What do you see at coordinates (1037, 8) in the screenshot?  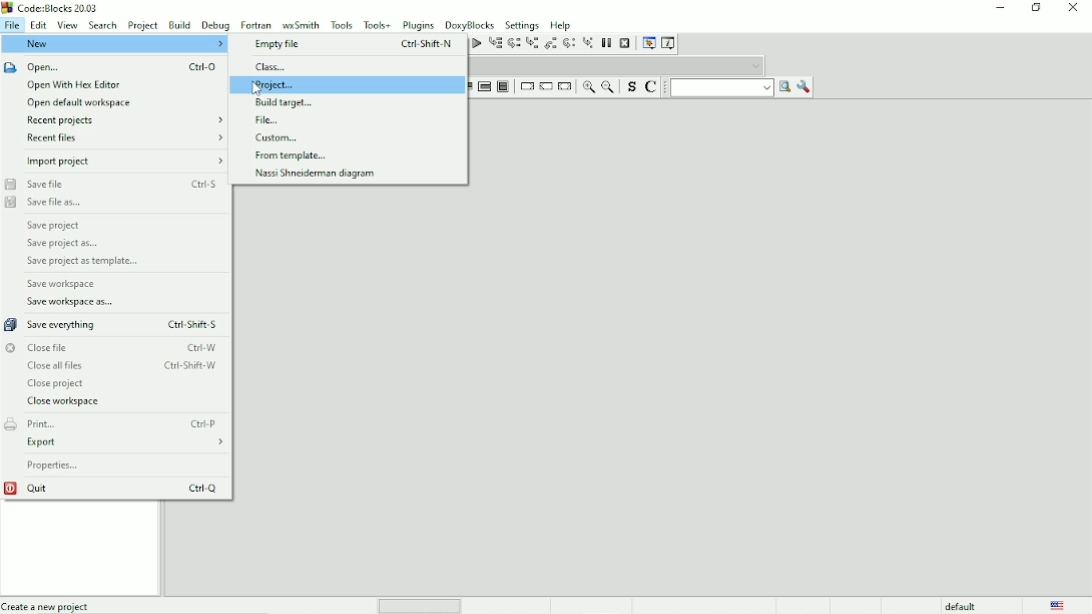 I see `Restore down` at bounding box center [1037, 8].